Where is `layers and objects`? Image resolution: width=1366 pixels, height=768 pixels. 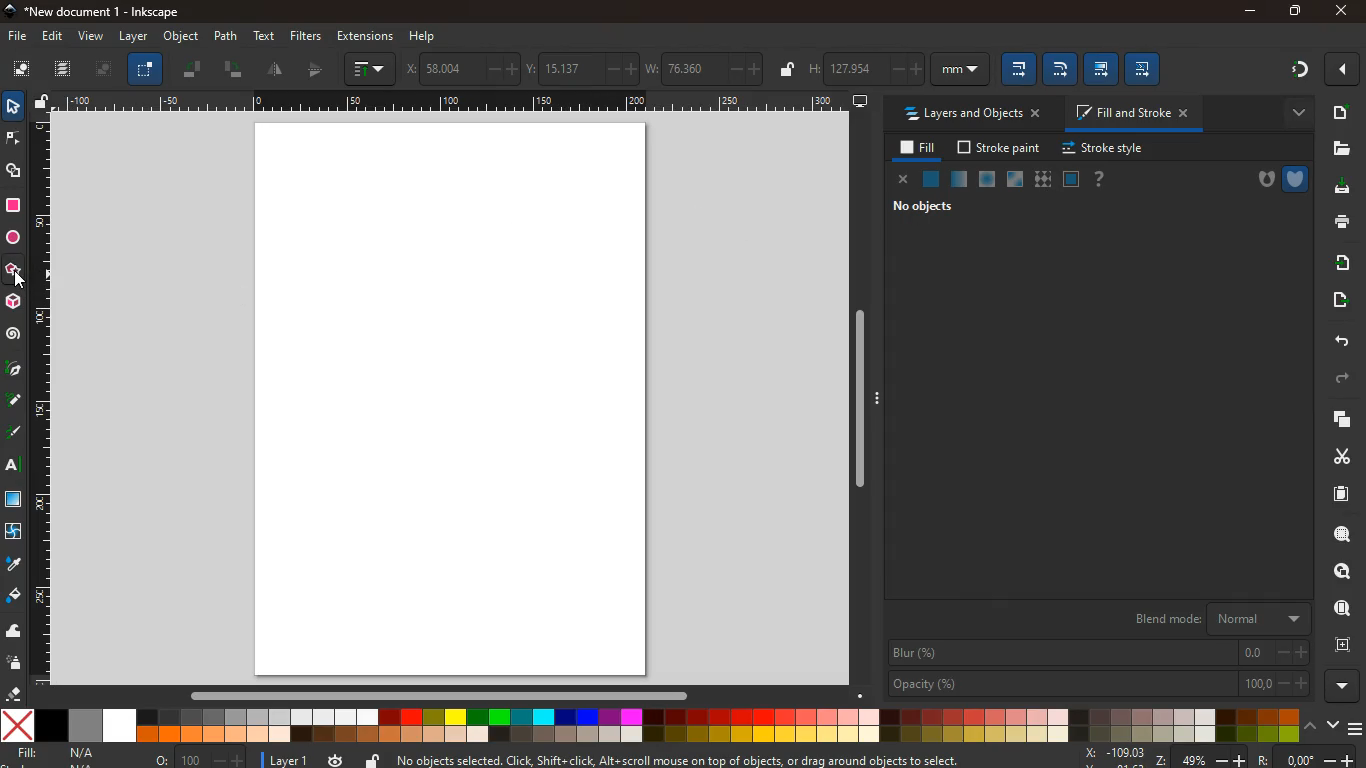 layers and objects is located at coordinates (972, 114).